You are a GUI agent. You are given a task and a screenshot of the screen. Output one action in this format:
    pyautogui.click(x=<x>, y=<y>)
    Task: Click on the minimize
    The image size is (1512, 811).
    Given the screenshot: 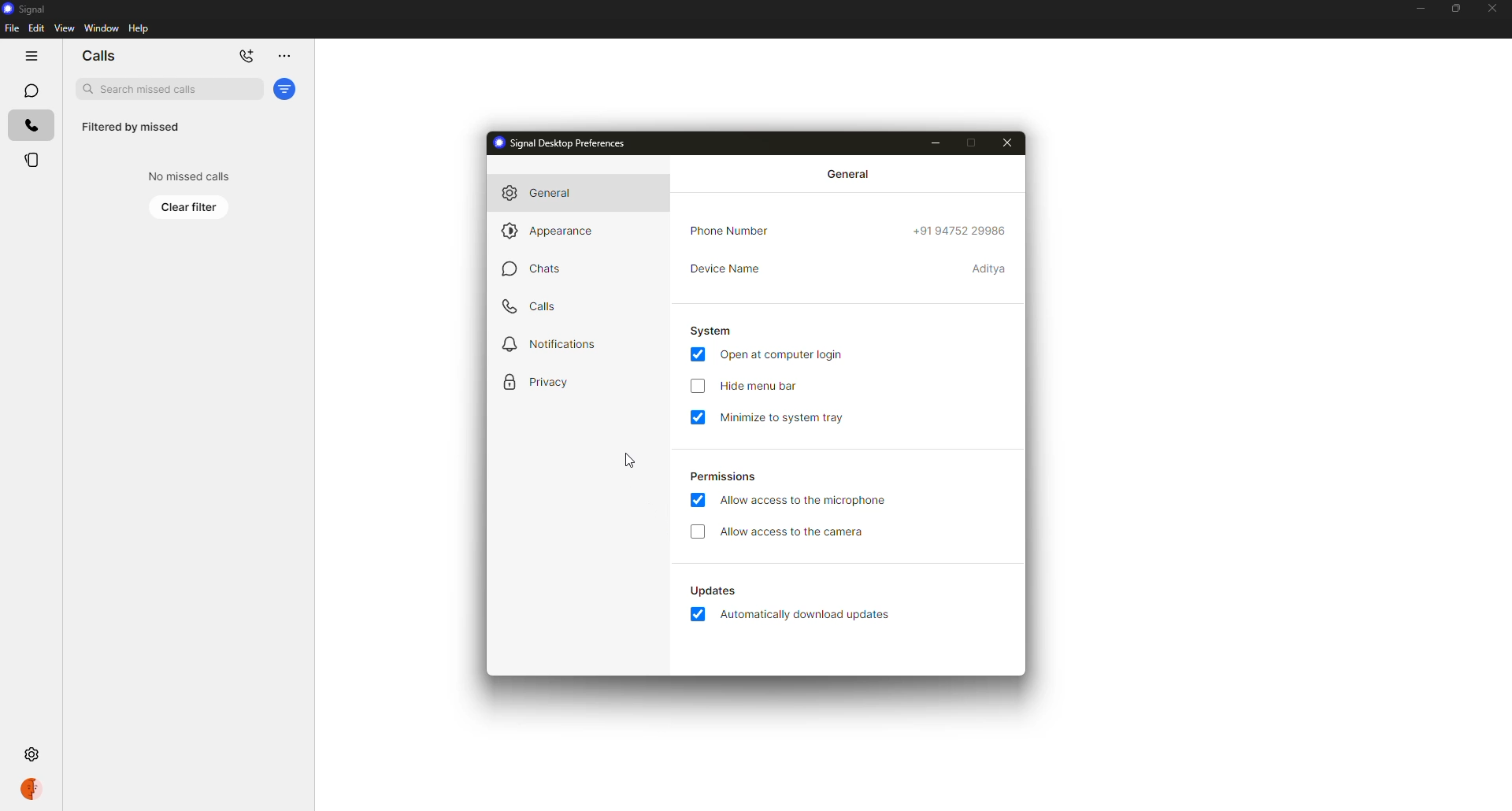 What is the action you would take?
    pyautogui.click(x=1415, y=9)
    